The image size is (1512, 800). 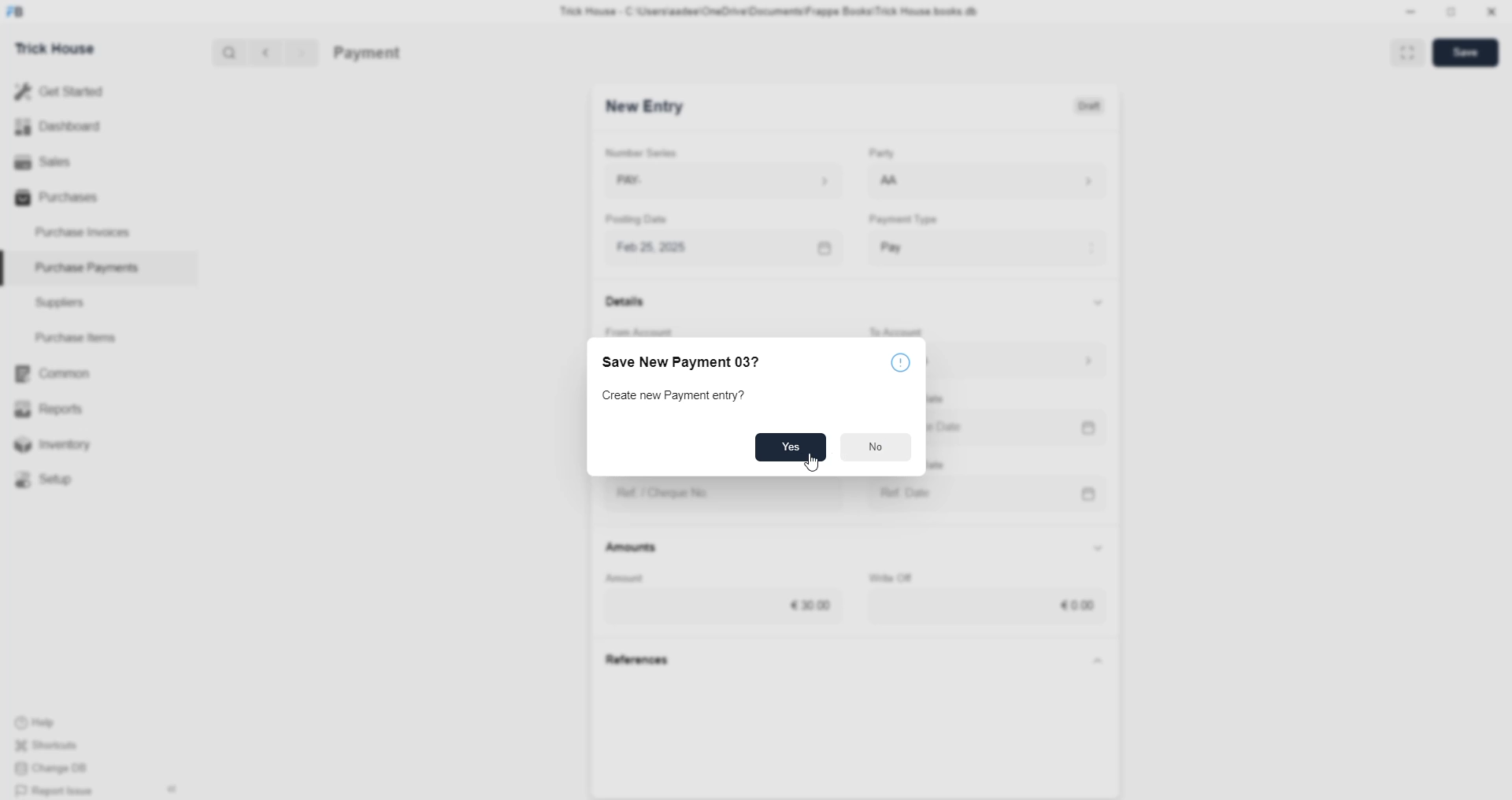 I want to click on No, so click(x=876, y=450).